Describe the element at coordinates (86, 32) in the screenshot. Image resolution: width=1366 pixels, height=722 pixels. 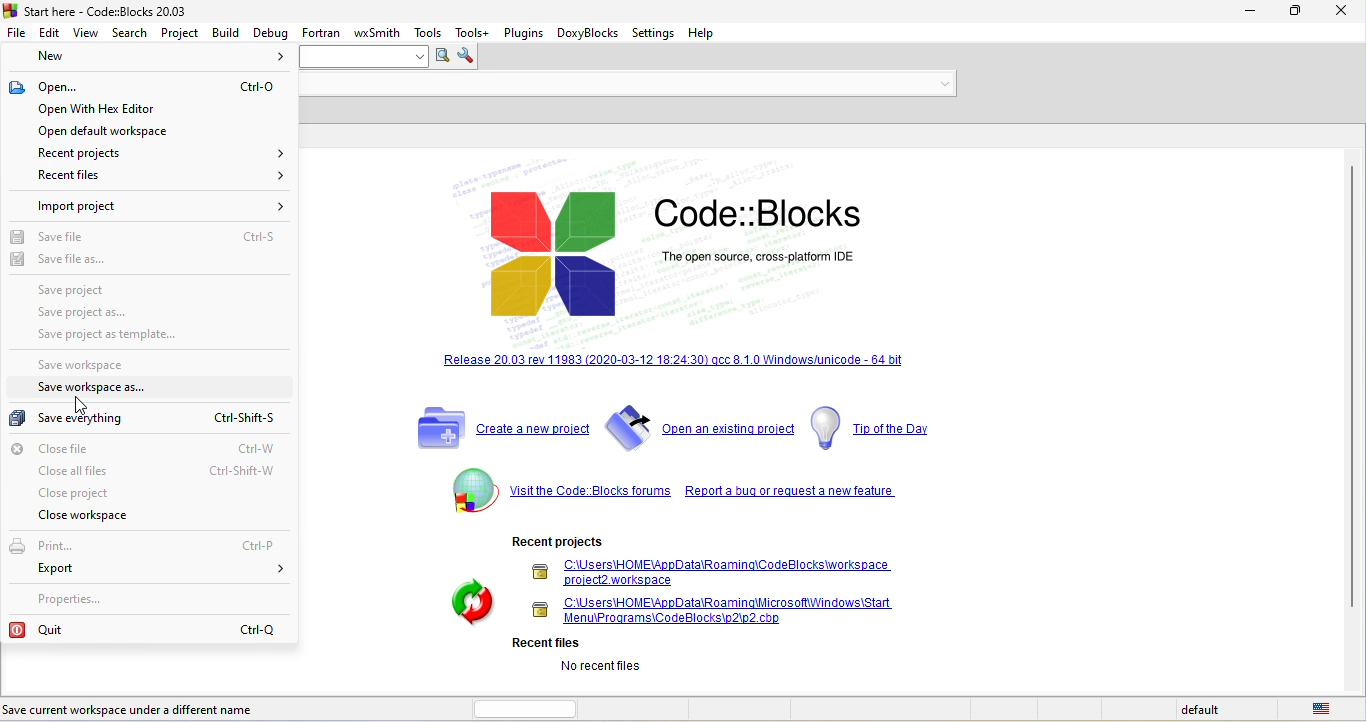
I see `view` at that location.